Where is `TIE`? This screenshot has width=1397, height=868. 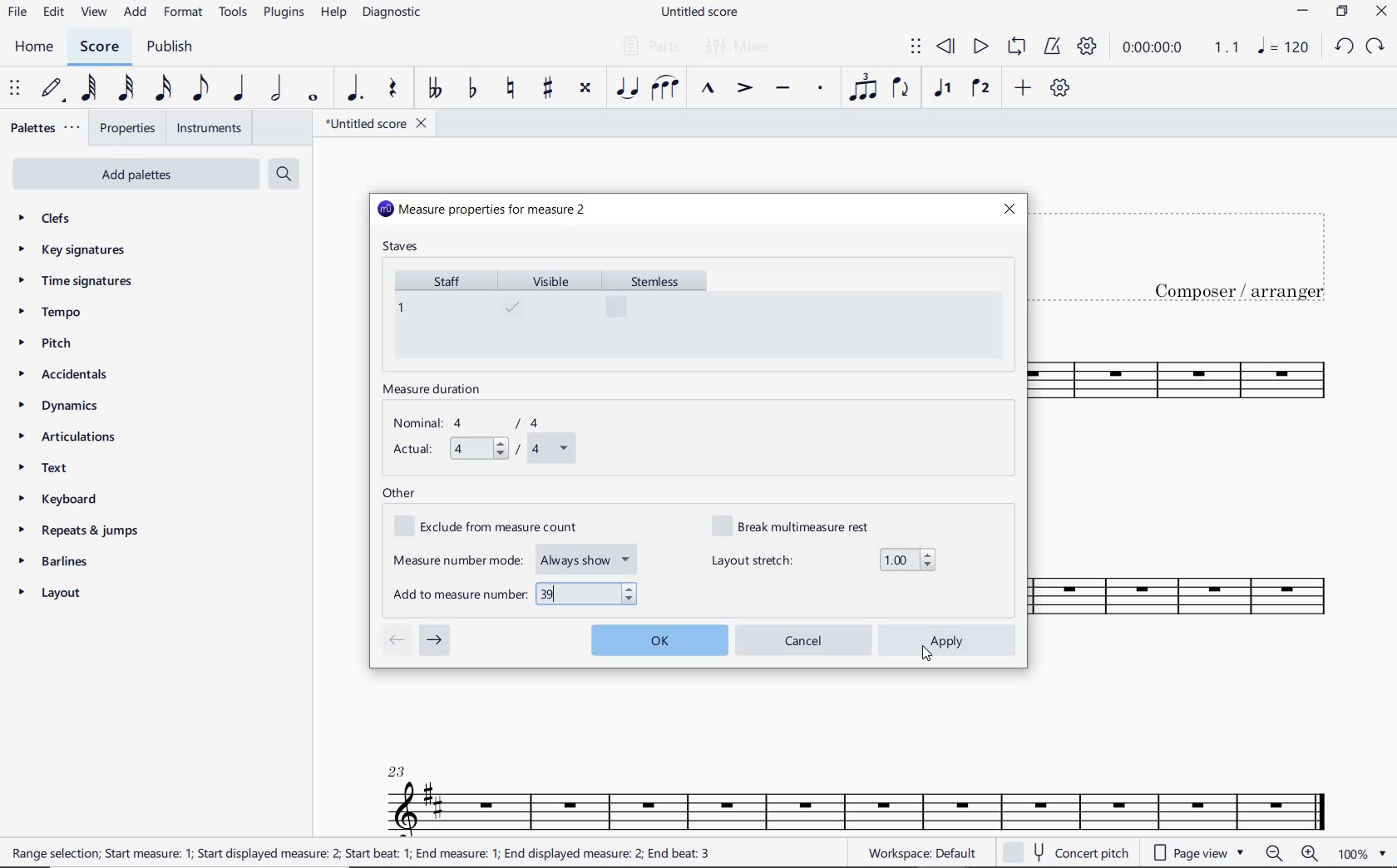 TIE is located at coordinates (627, 87).